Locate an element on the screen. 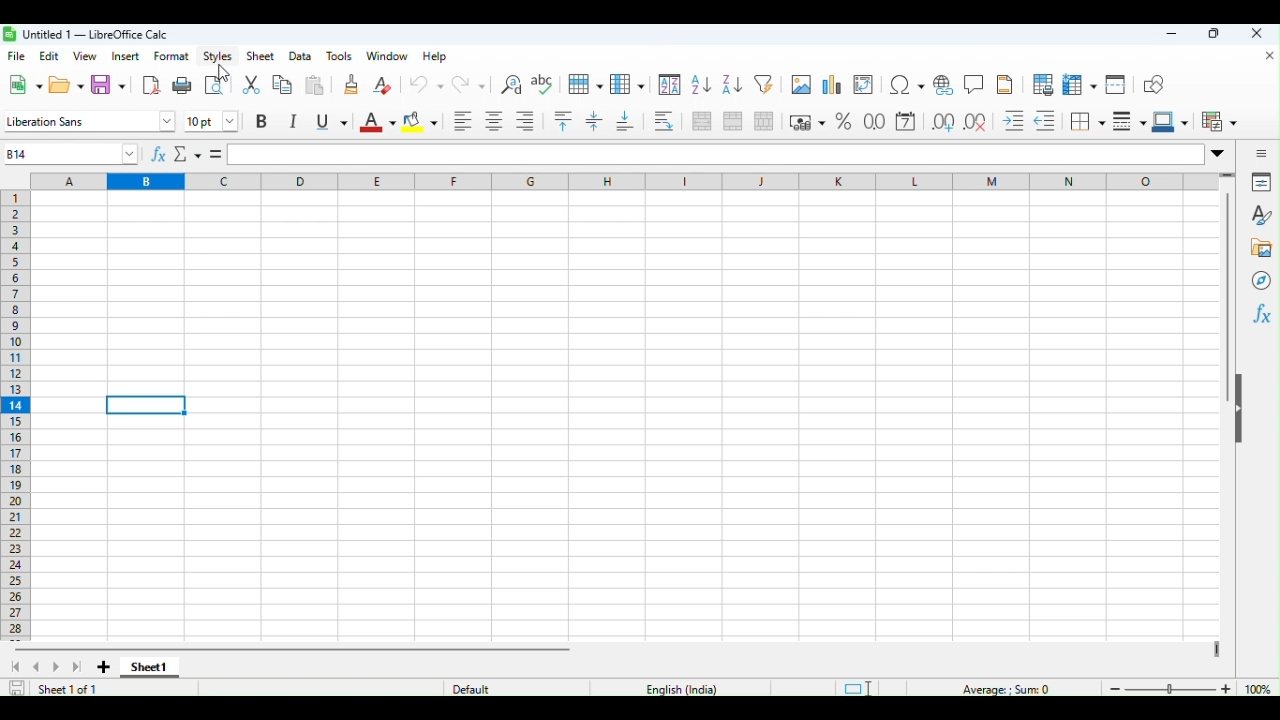  Shift decimal is located at coordinates (973, 123).